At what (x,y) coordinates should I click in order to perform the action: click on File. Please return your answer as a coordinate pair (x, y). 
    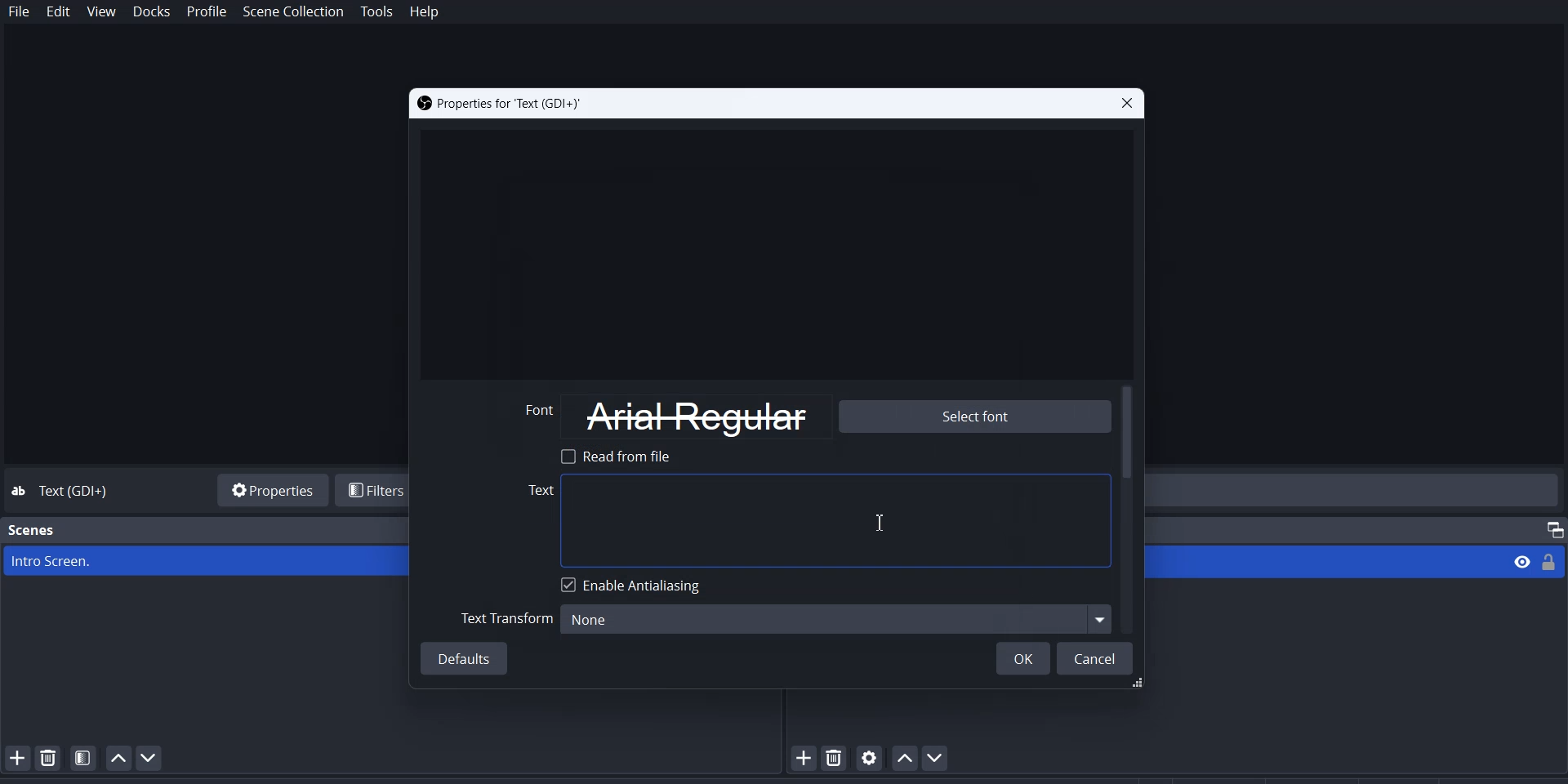
    Looking at the image, I should click on (20, 12).